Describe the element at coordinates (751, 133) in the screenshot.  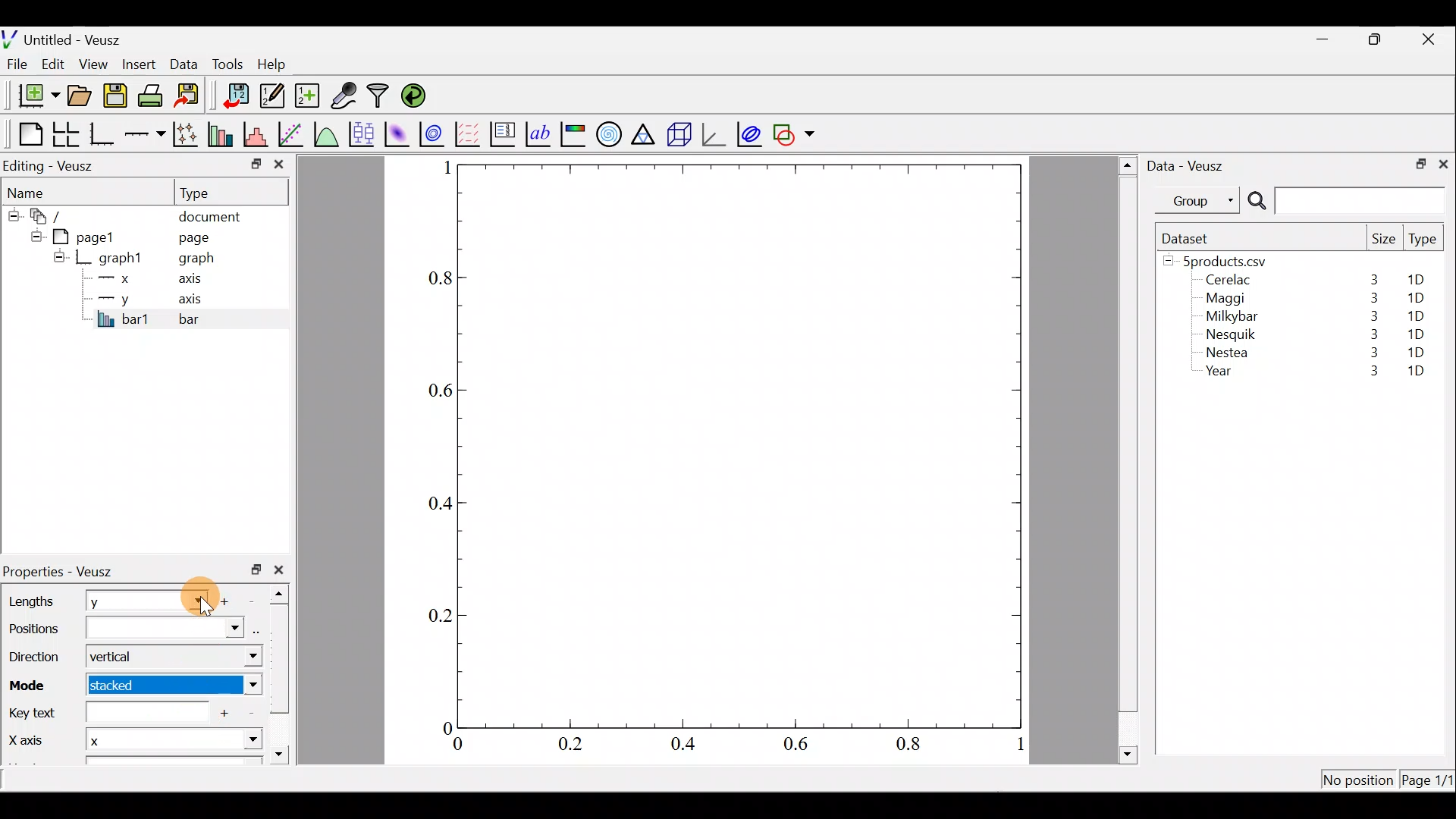
I see `plot covariance ellipses` at that location.